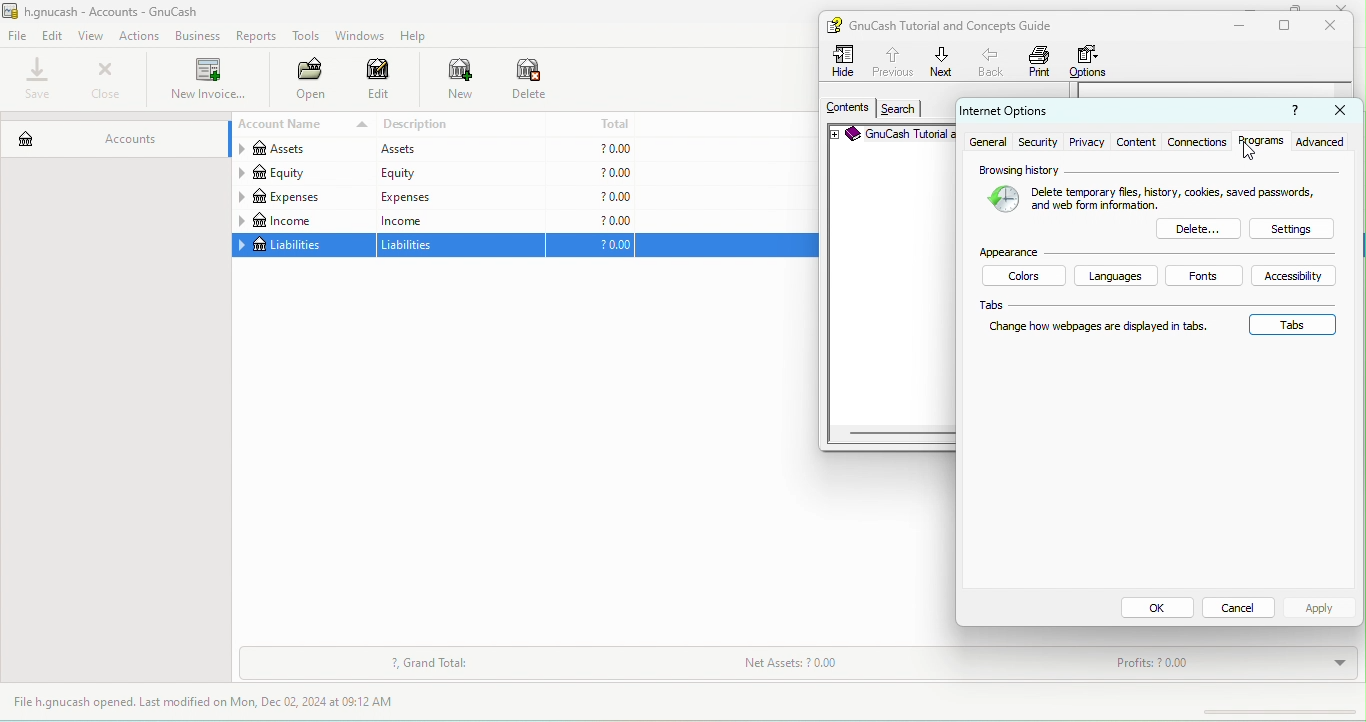 The image size is (1366, 722). Describe the element at coordinates (302, 221) in the screenshot. I see `income` at that location.